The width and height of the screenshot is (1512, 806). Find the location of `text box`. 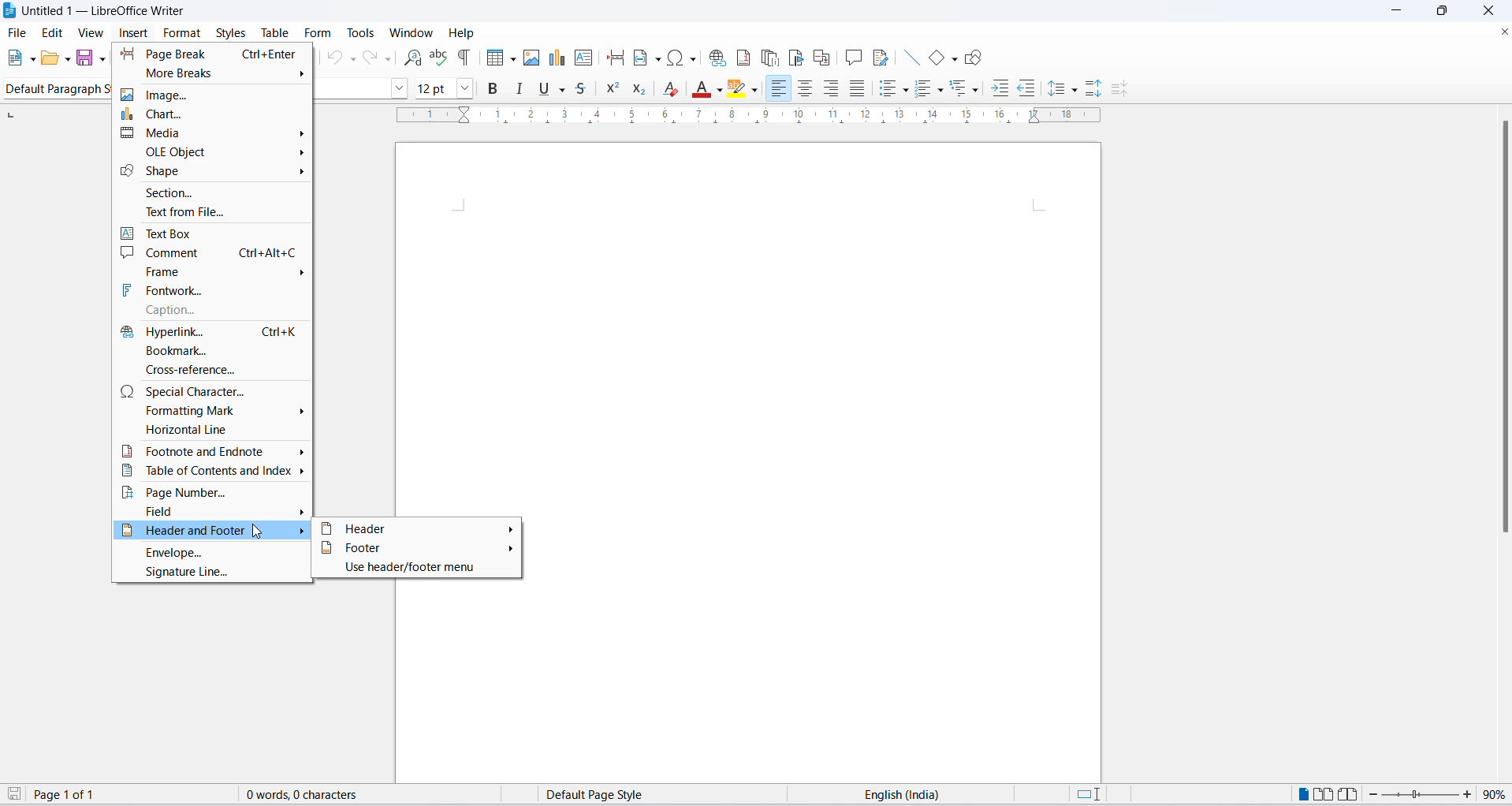

text box is located at coordinates (210, 230).